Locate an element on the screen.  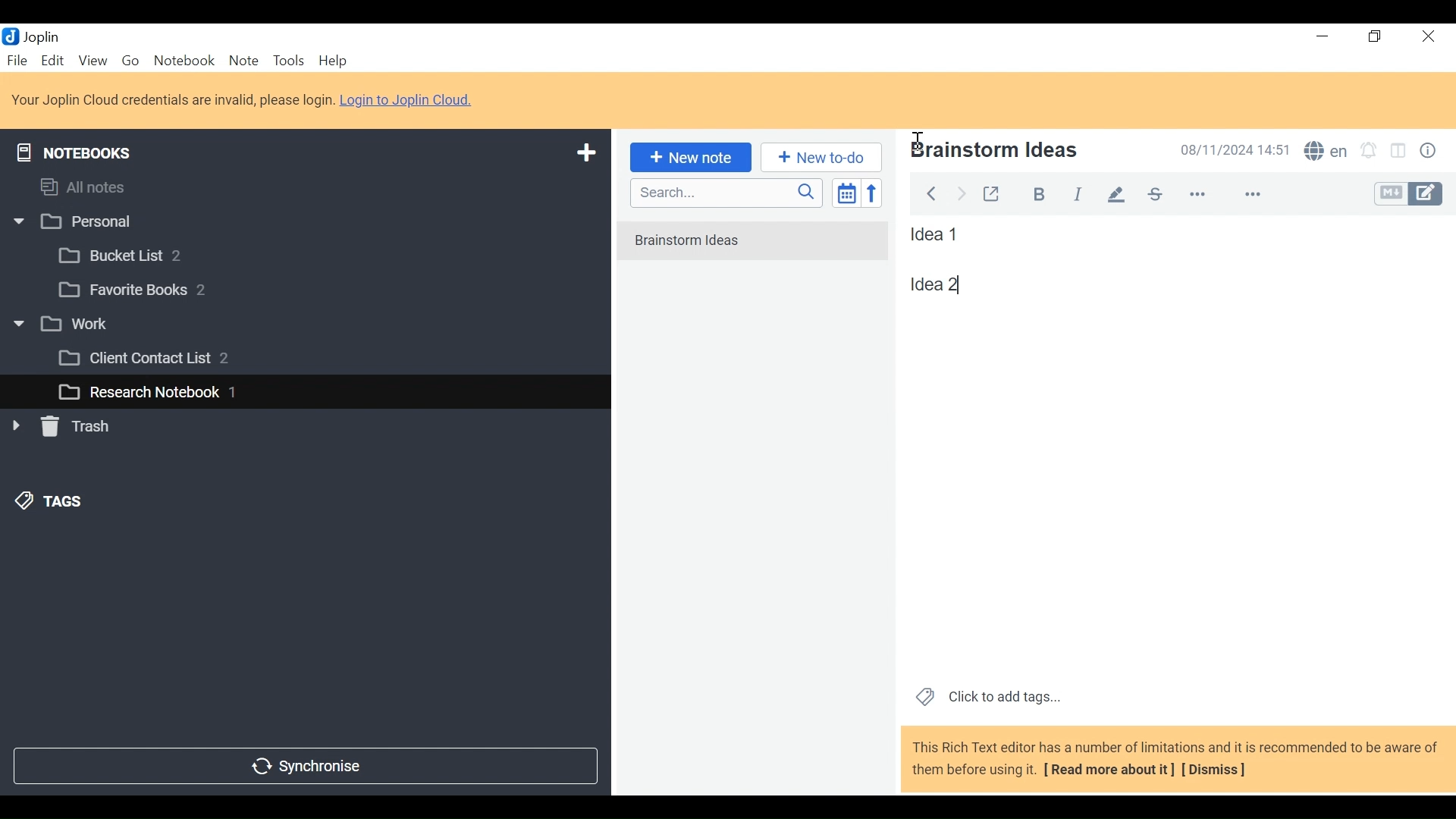
more options is located at coordinates (1207, 195).